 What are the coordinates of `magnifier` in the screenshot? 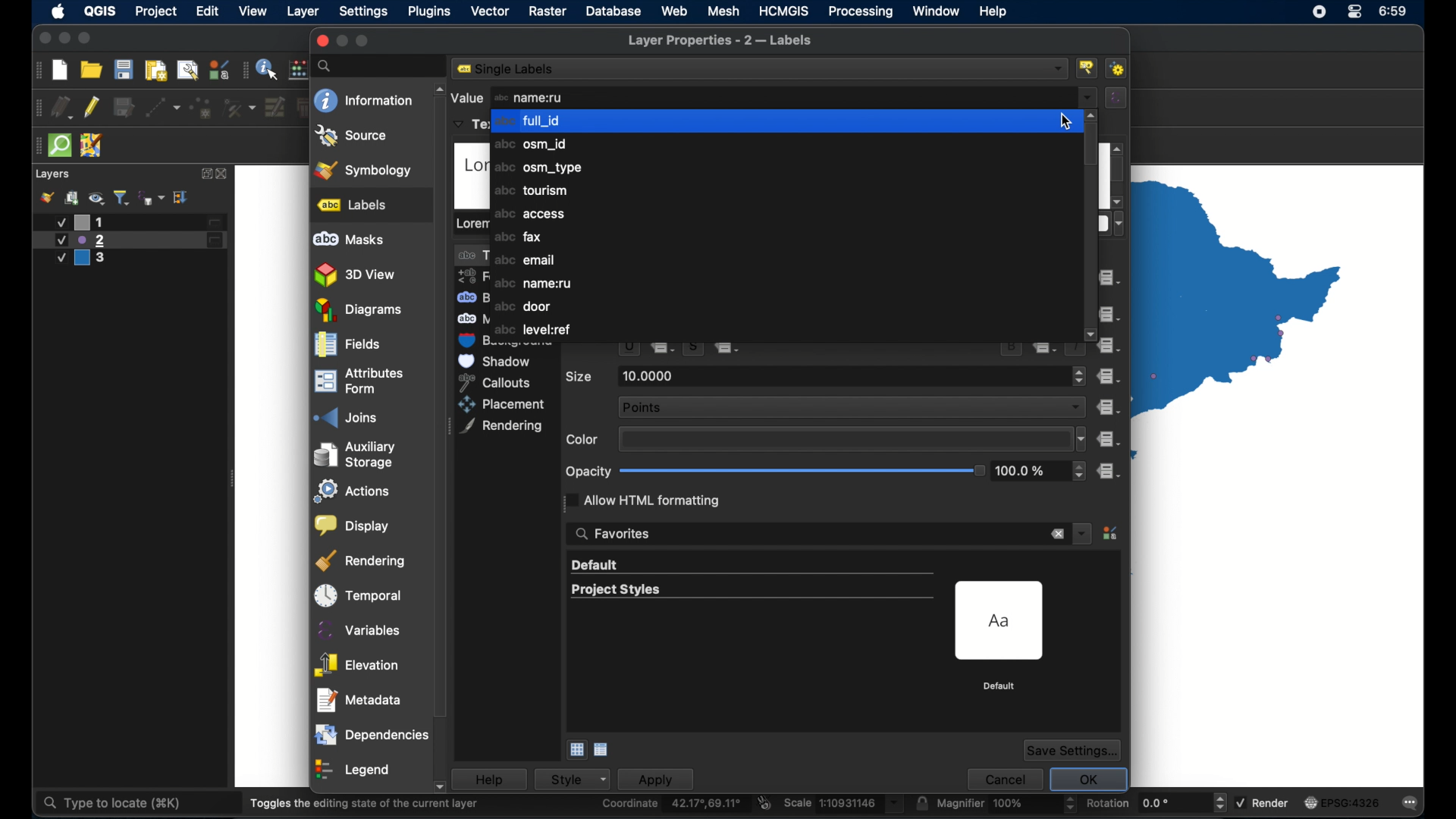 It's located at (1006, 803).